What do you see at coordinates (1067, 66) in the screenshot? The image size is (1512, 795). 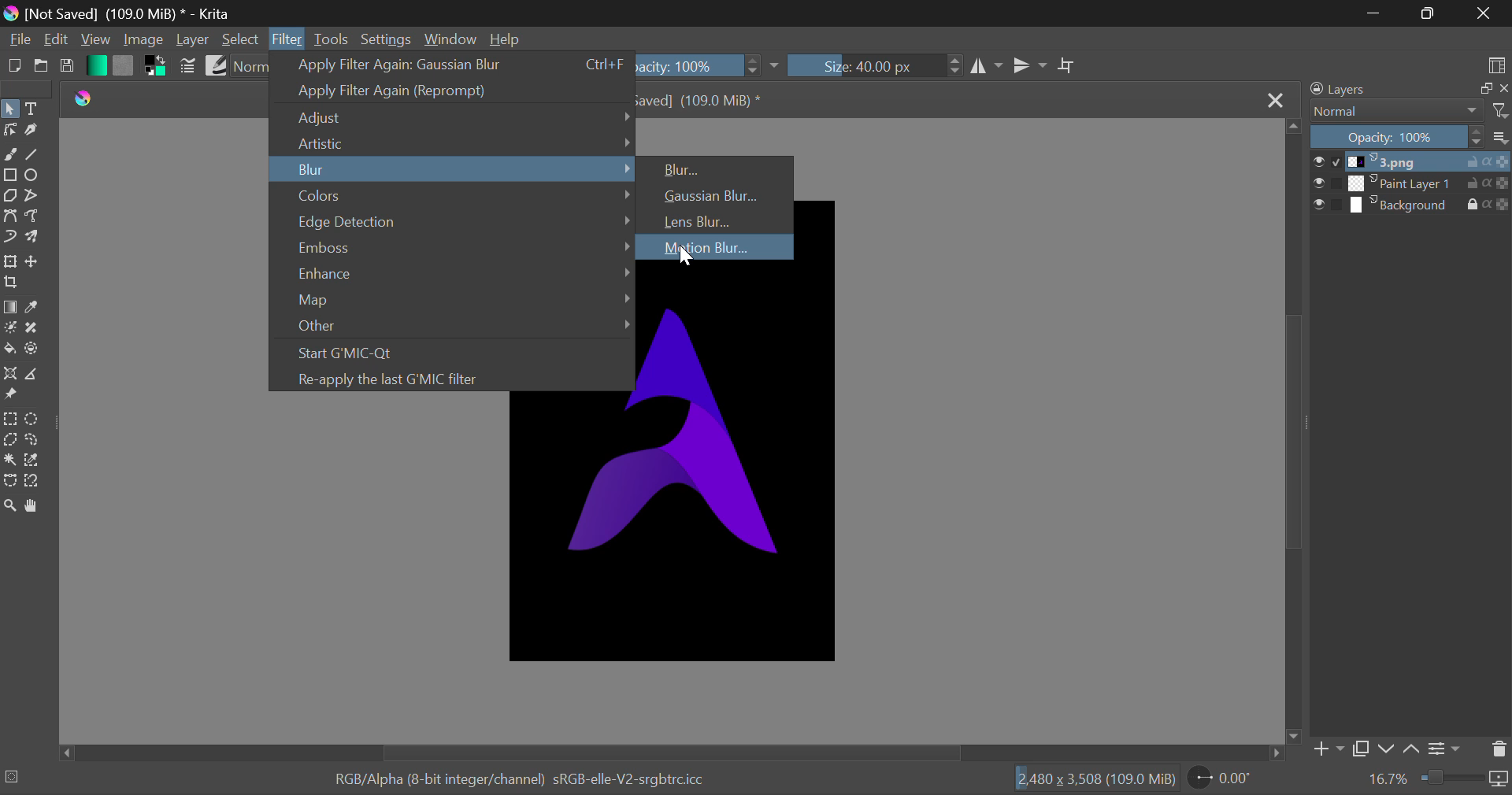 I see `Crop` at bounding box center [1067, 66].